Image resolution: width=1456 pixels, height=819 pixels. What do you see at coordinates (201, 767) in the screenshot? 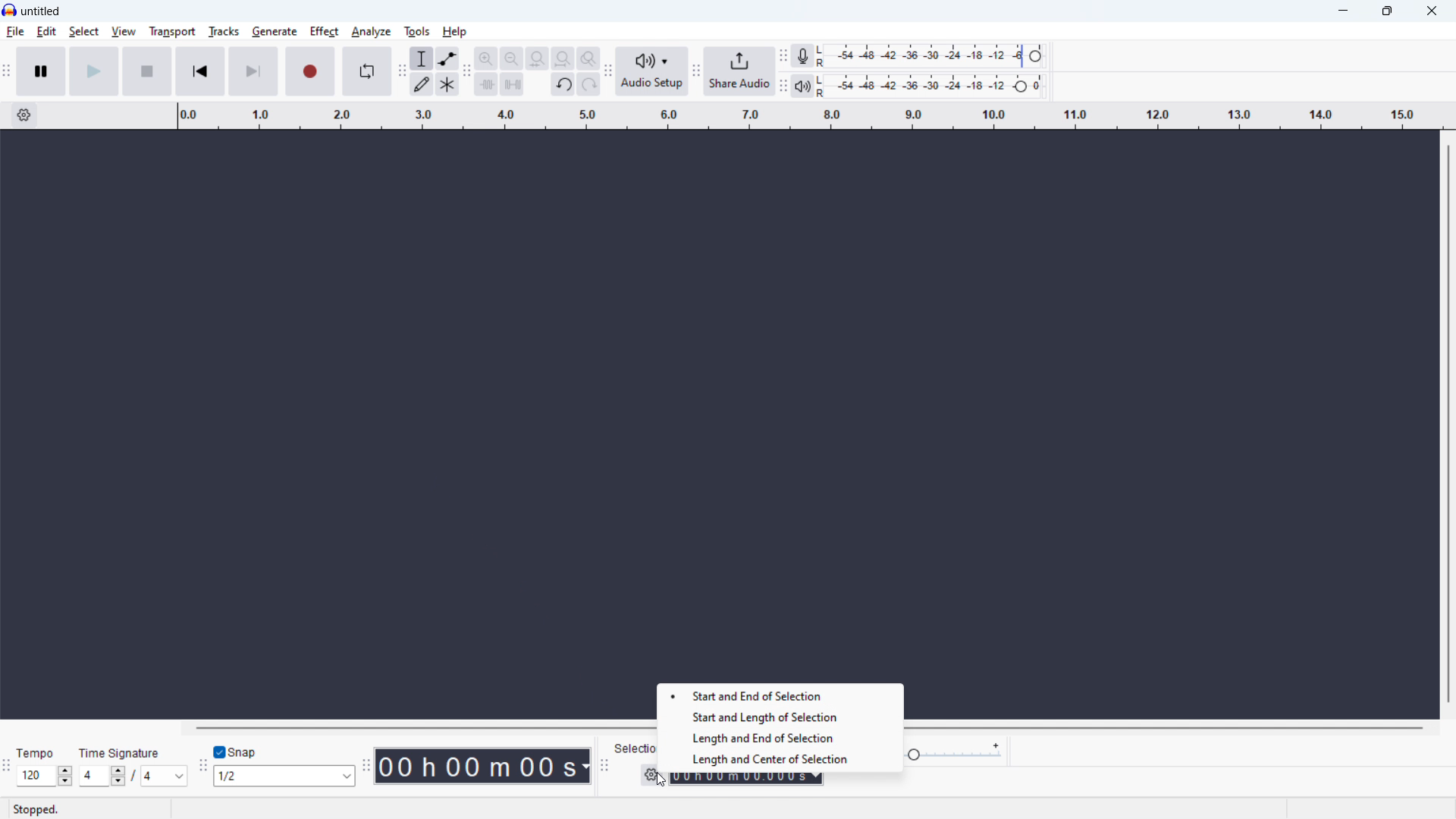
I see `snapping toolbar` at bounding box center [201, 767].